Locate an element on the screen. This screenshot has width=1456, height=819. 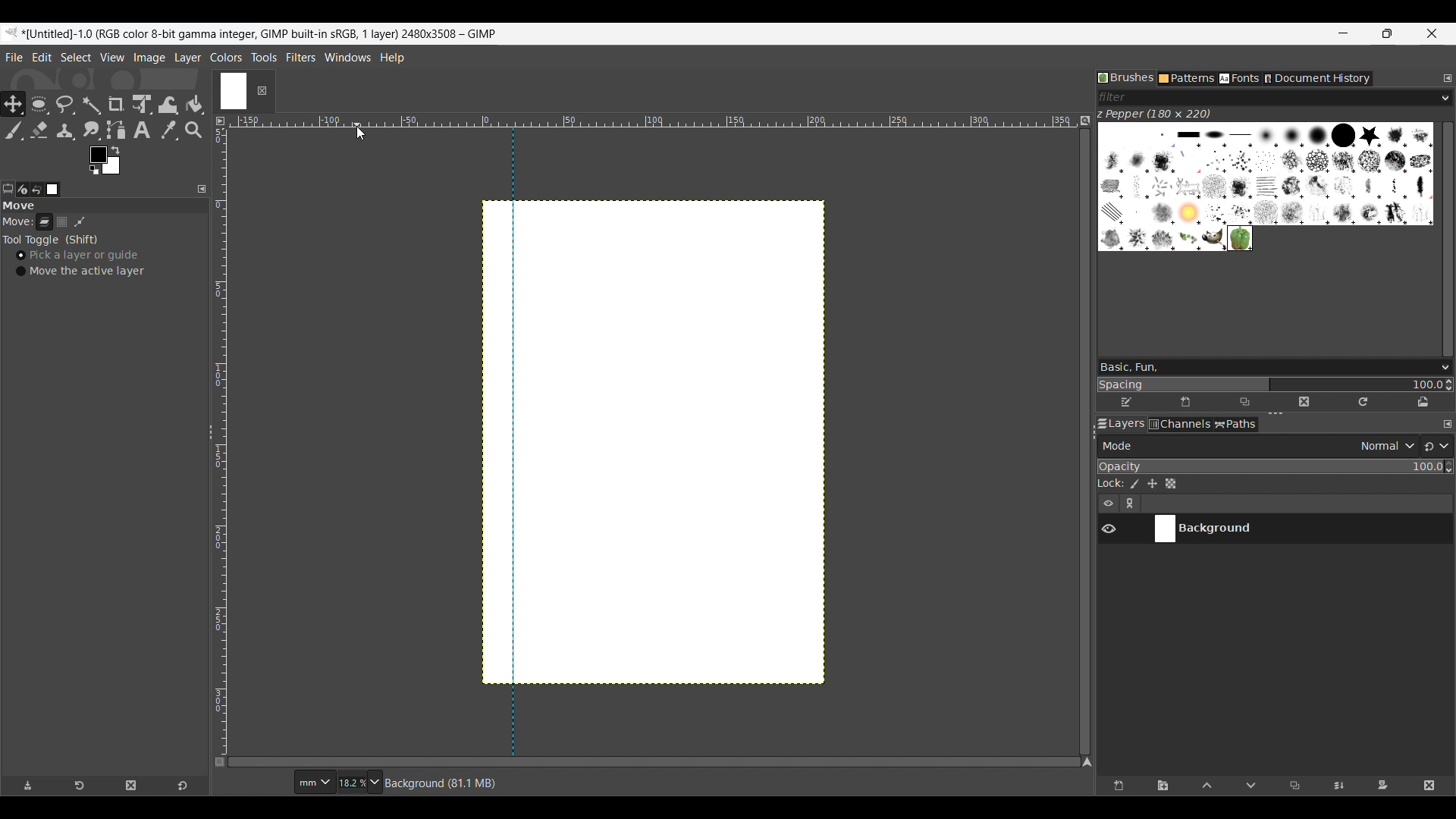
Indicates lock settings is located at coordinates (1111, 483).